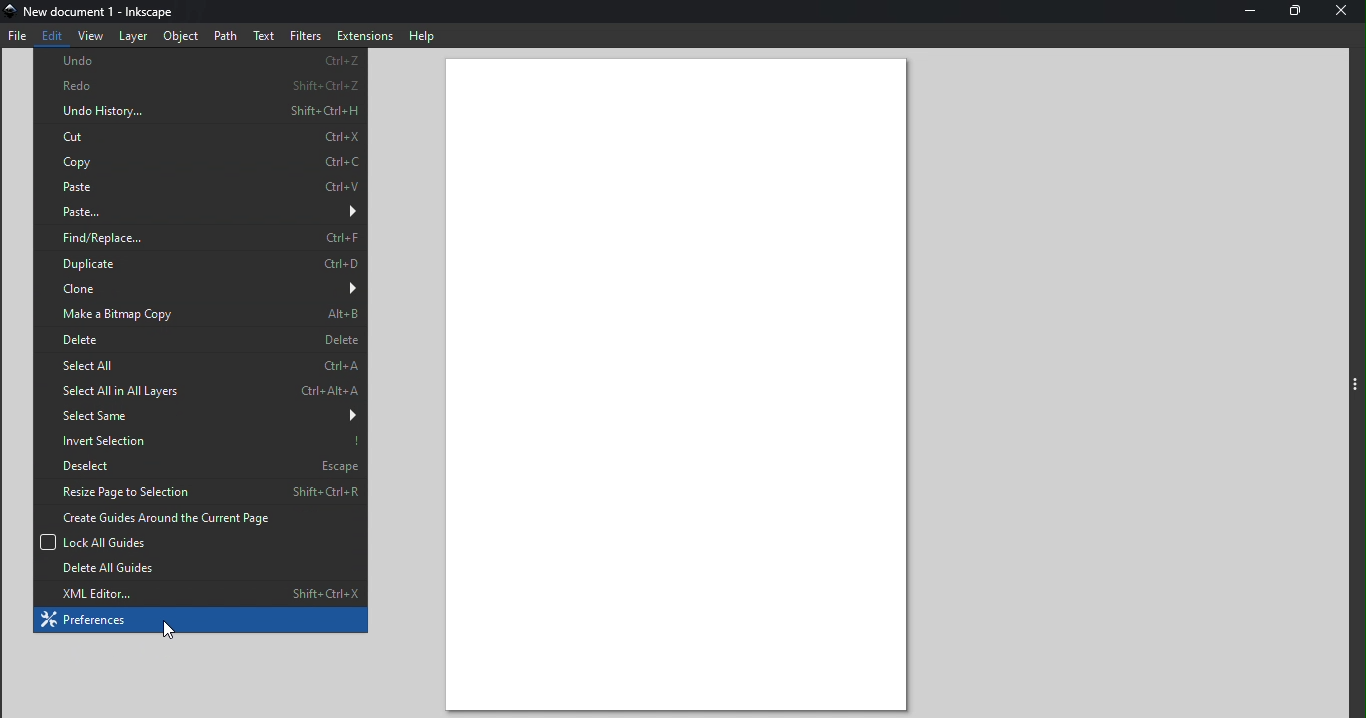 This screenshot has width=1366, height=718. I want to click on Undo history, so click(201, 112).